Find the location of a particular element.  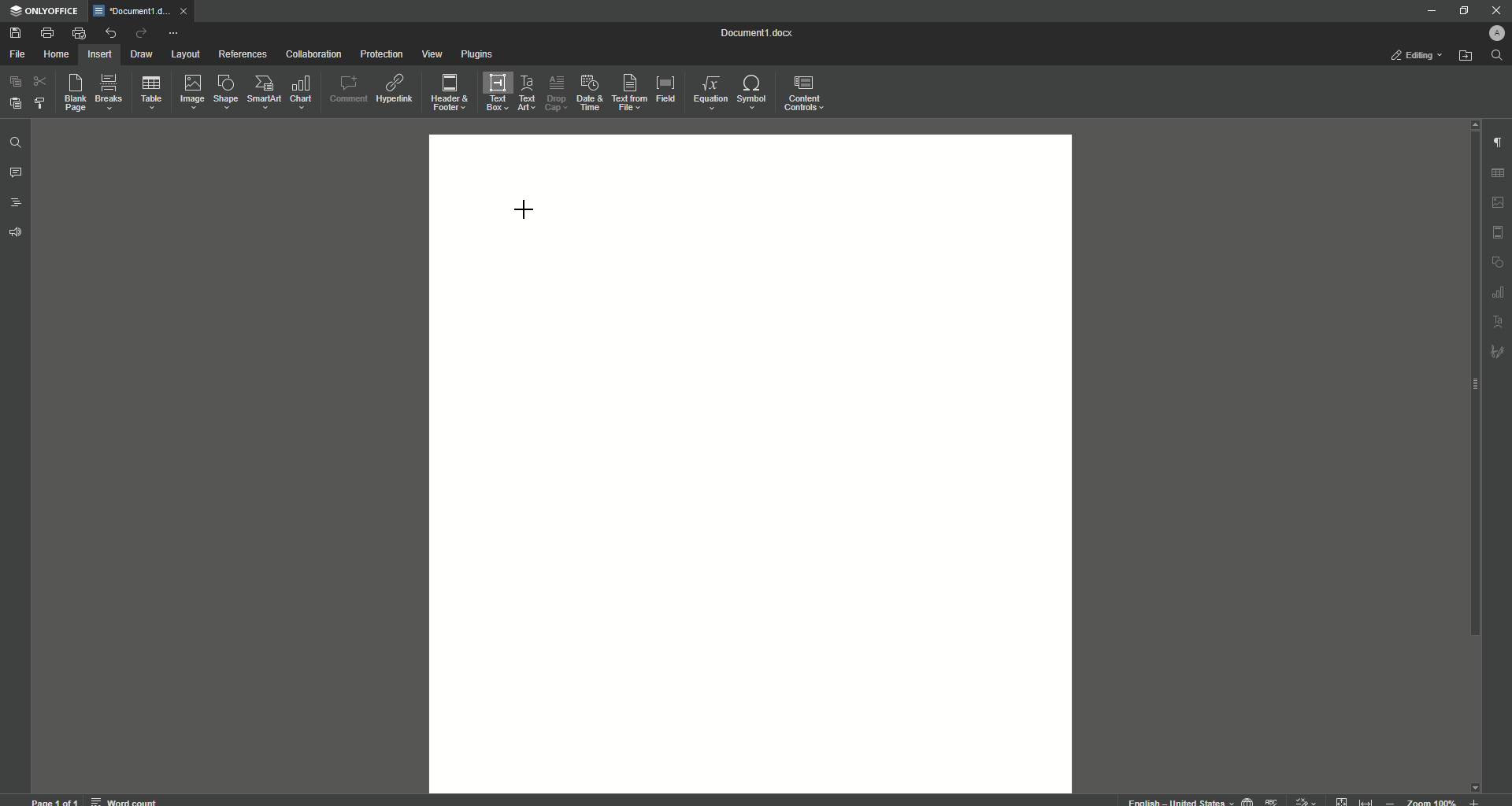

Breaks is located at coordinates (109, 93).